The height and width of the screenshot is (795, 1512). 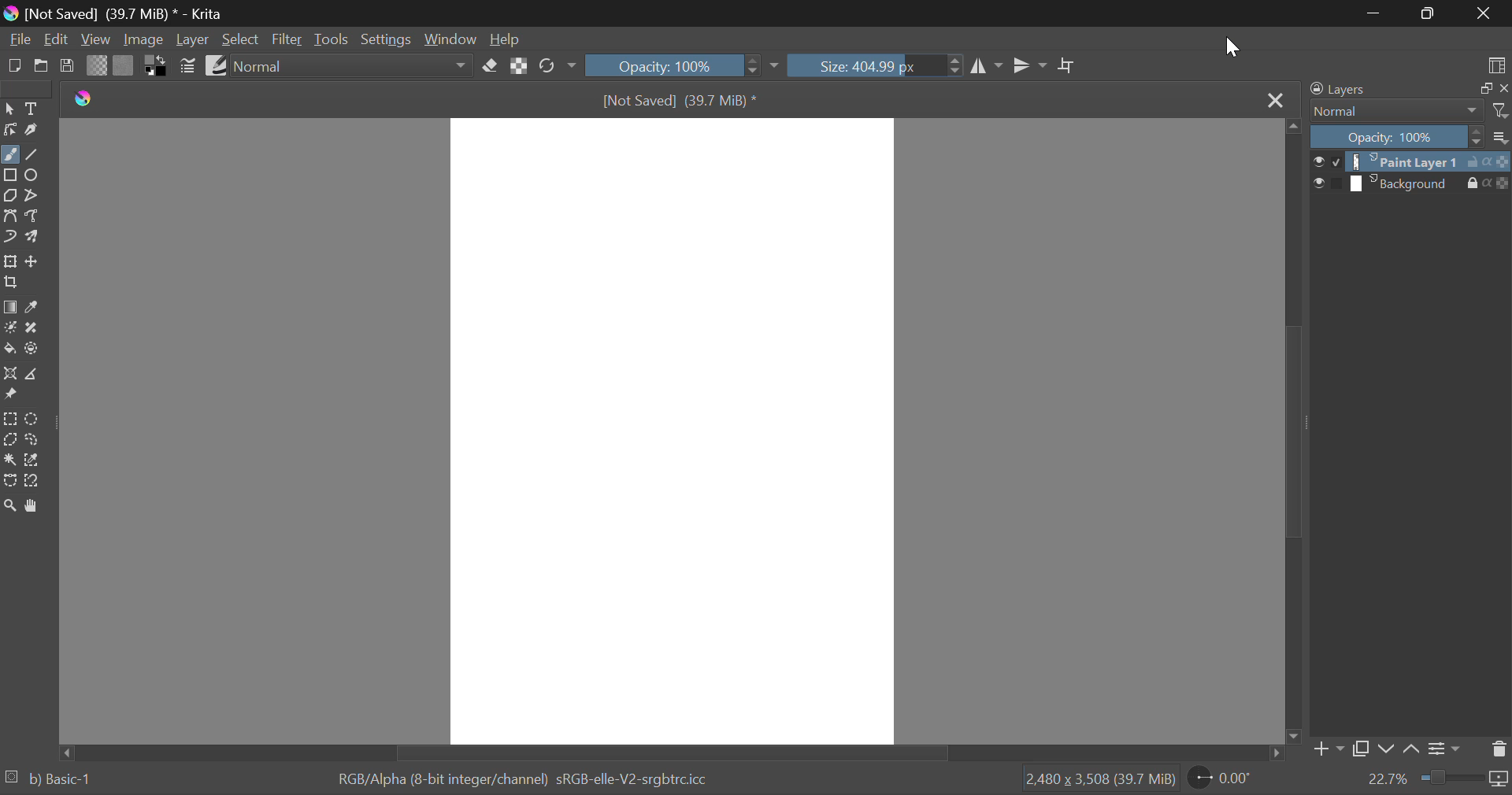 What do you see at coordinates (1328, 749) in the screenshot?
I see `Add Layer` at bounding box center [1328, 749].